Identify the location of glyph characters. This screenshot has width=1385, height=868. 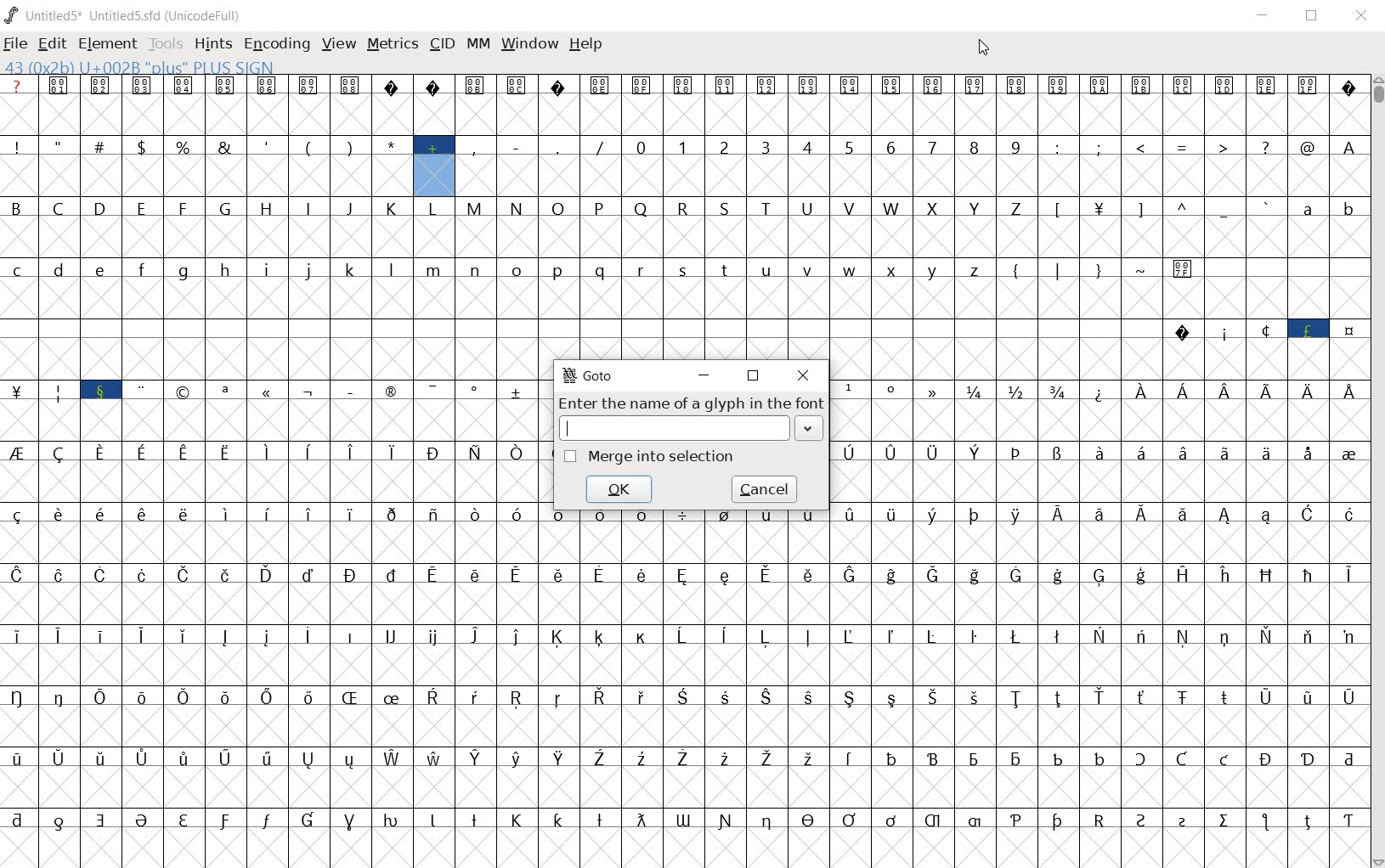
(971, 196).